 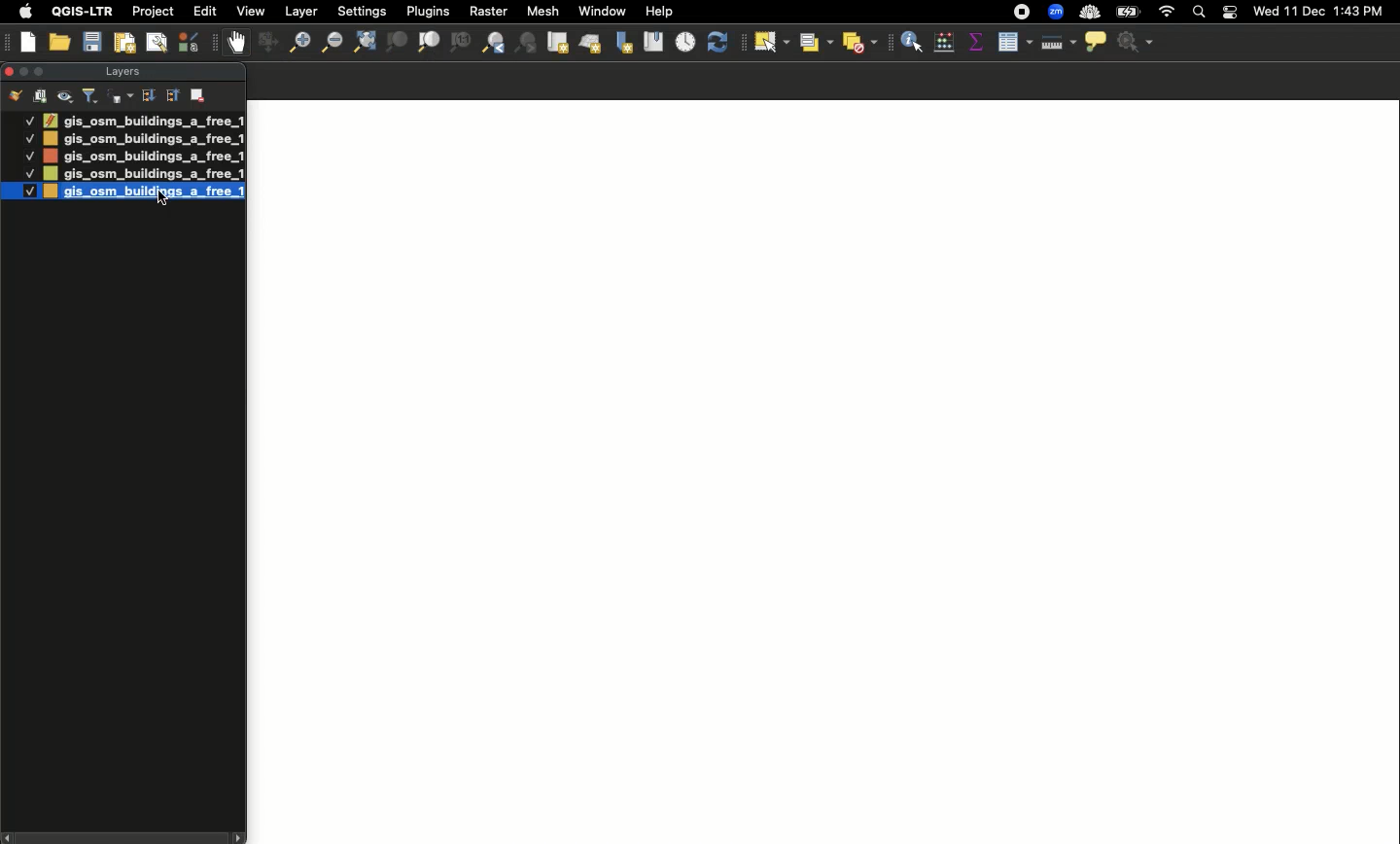 What do you see at coordinates (590, 46) in the screenshot?
I see `New 3D map view` at bounding box center [590, 46].